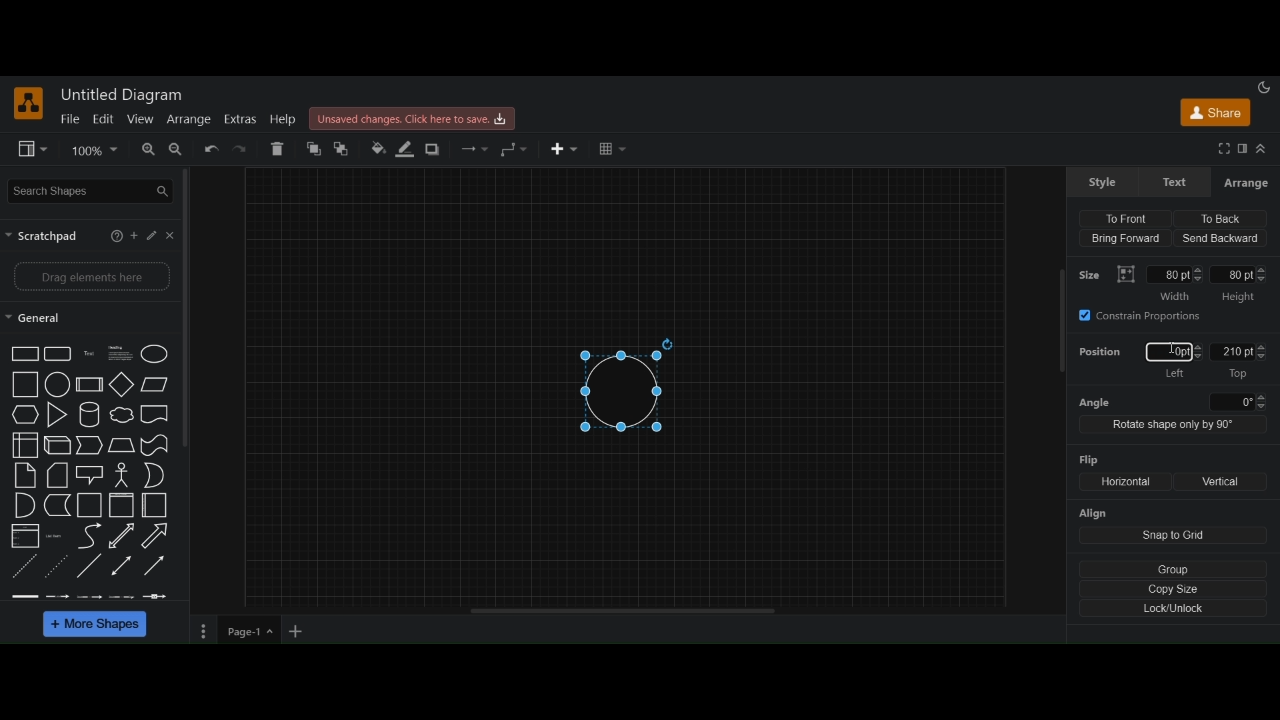  I want to click on to front, so click(313, 149).